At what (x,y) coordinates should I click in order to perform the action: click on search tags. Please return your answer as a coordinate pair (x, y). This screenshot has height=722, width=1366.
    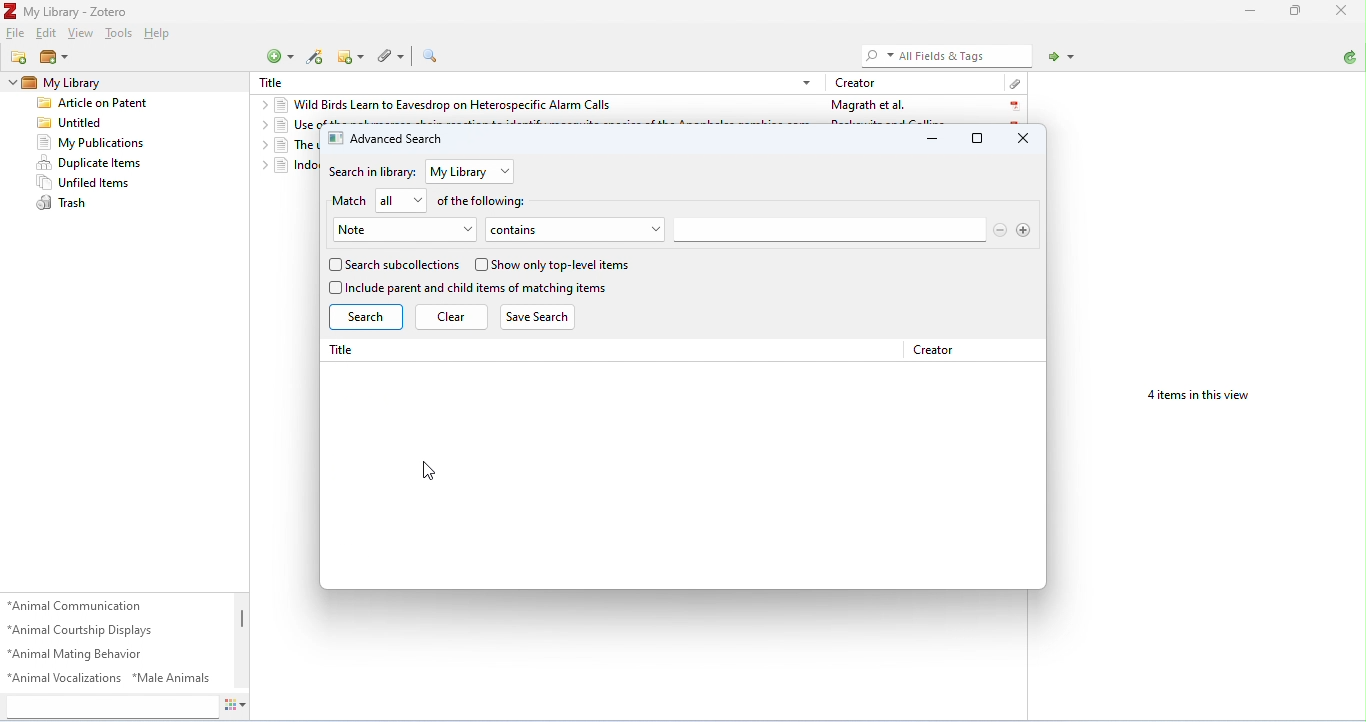
    Looking at the image, I should click on (110, 705).